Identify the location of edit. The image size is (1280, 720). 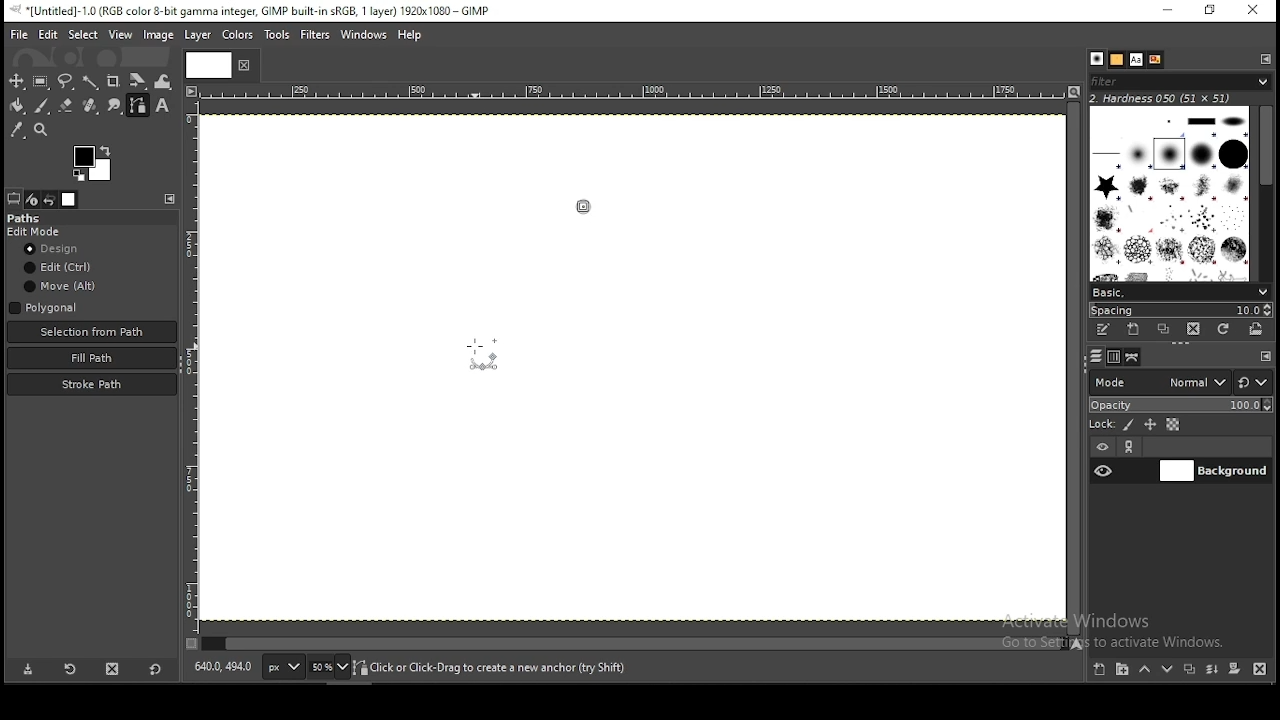
(60, 268).